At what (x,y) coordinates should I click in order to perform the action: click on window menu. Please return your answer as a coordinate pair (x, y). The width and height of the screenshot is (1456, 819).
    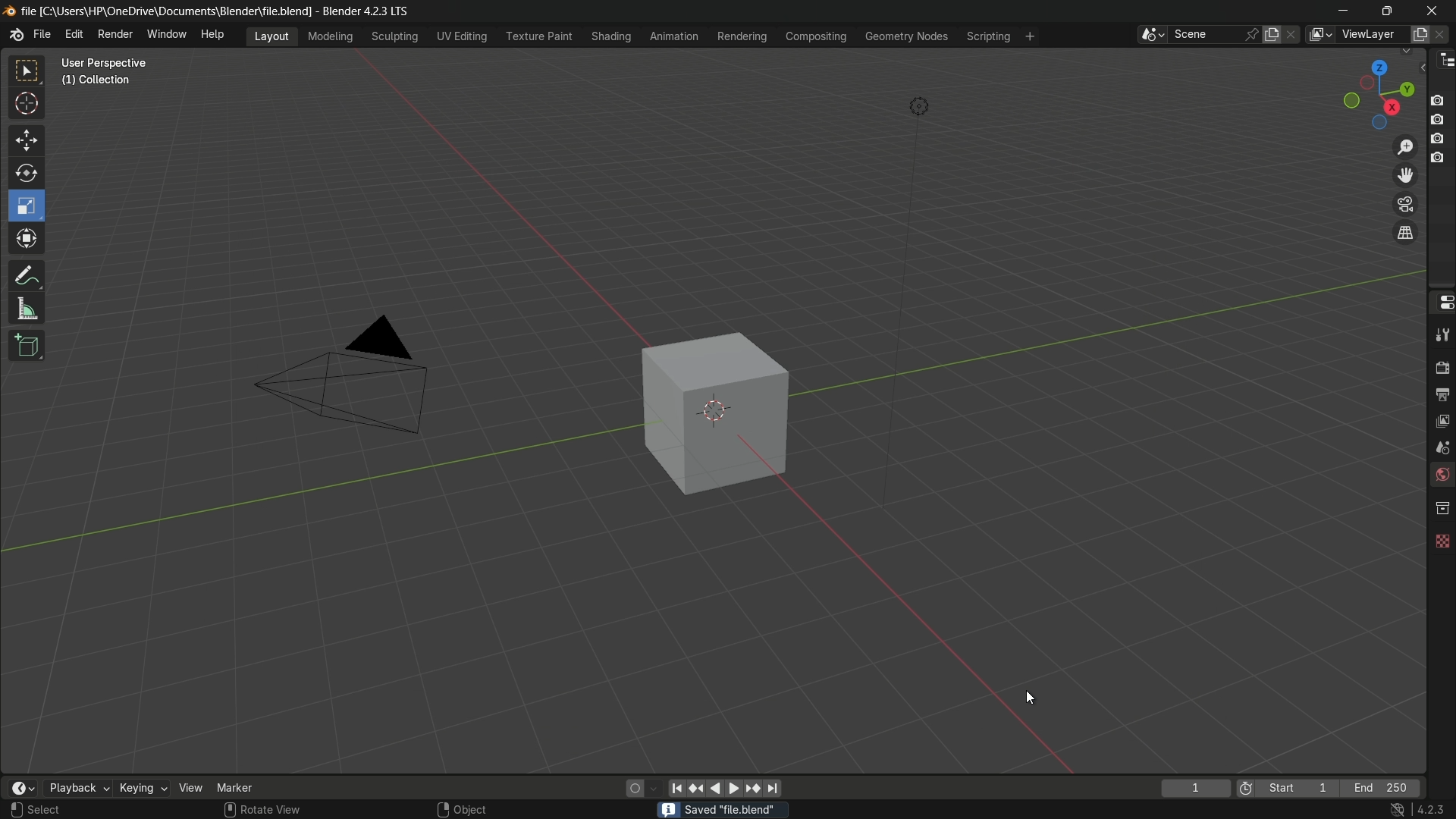
    Looking at the image, I should click on (168, 36).